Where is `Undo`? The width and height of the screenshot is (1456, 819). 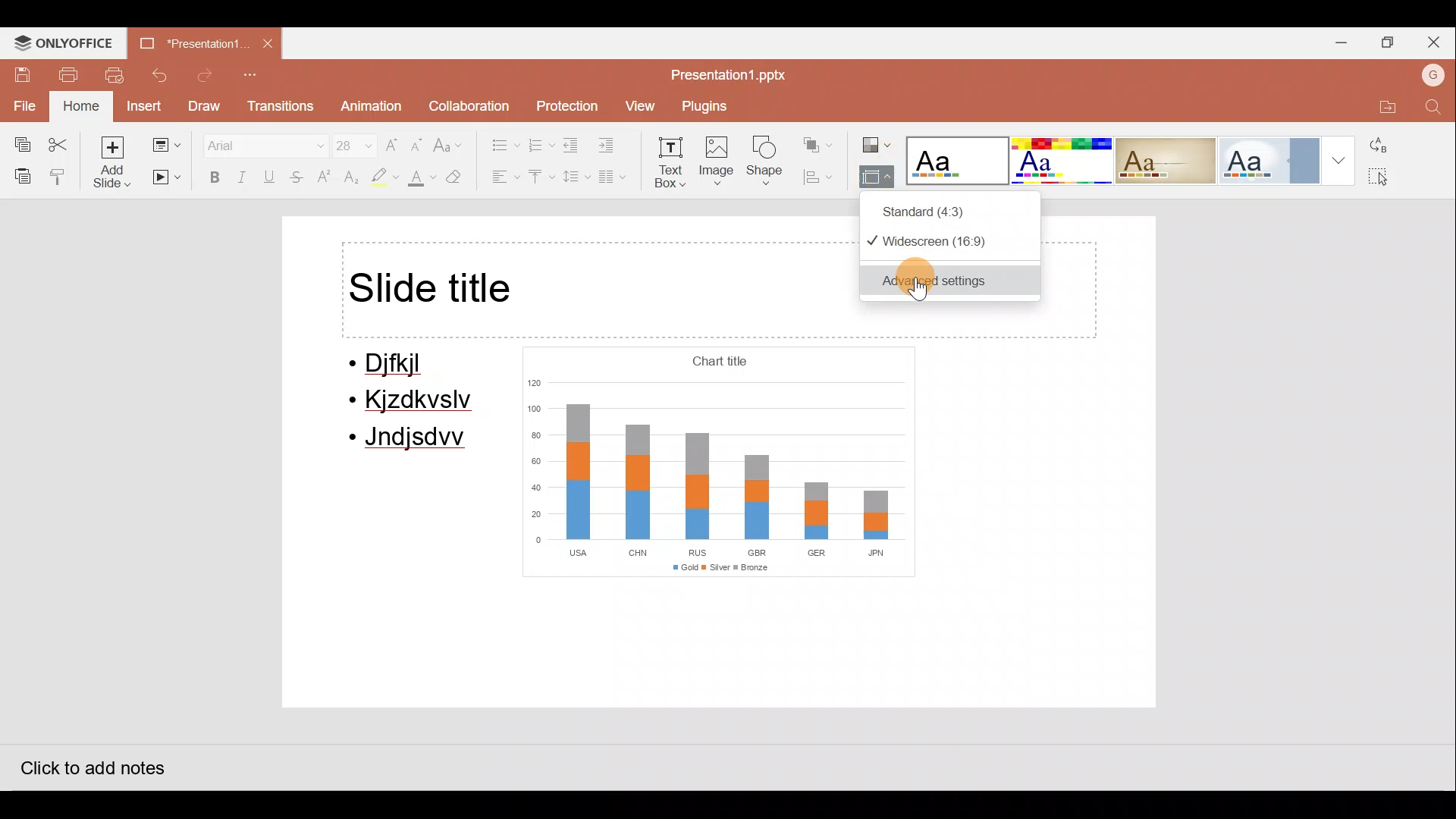 Undo is located at coordinates (162, 75).